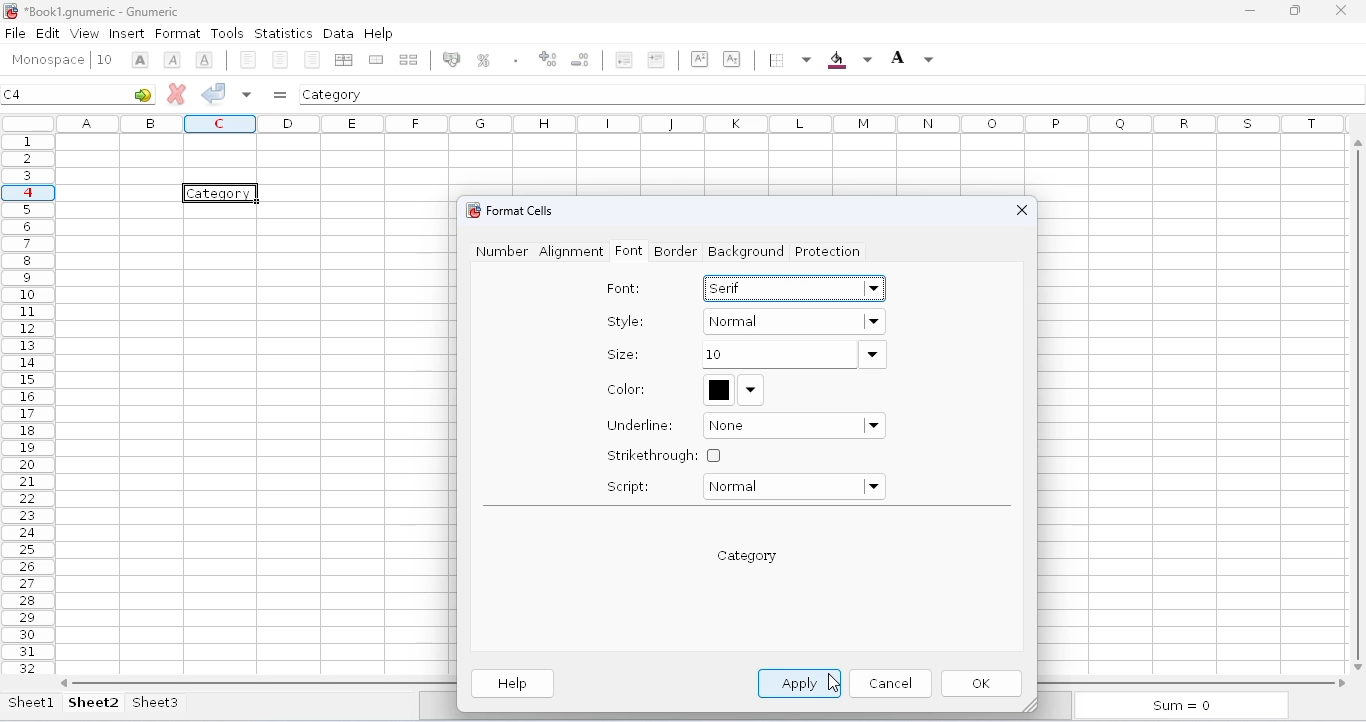 This screenshot has height=722, width=1366. Describe the element at coordinates (622, 59) in the screenshot. I see `decrease the indent` at that location.